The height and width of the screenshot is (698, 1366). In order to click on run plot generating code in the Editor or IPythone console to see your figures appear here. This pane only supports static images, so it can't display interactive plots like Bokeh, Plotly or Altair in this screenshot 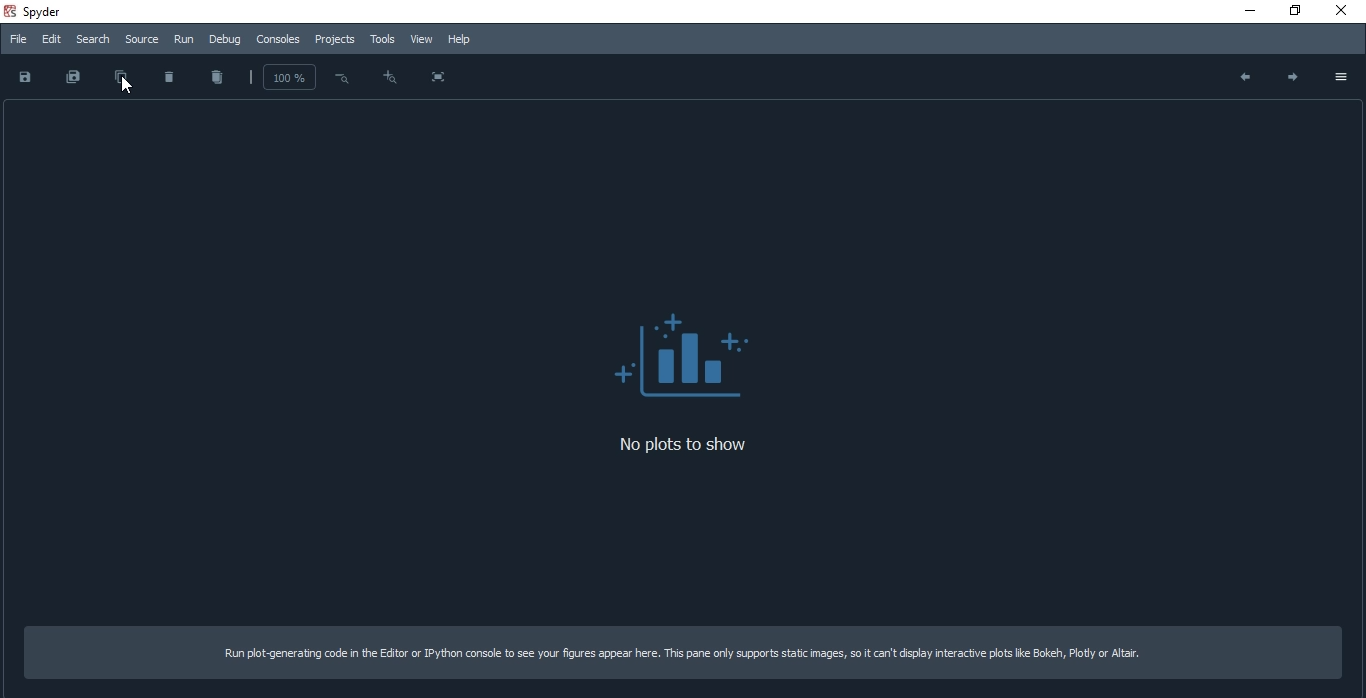, I will do `click(686, 653)`.